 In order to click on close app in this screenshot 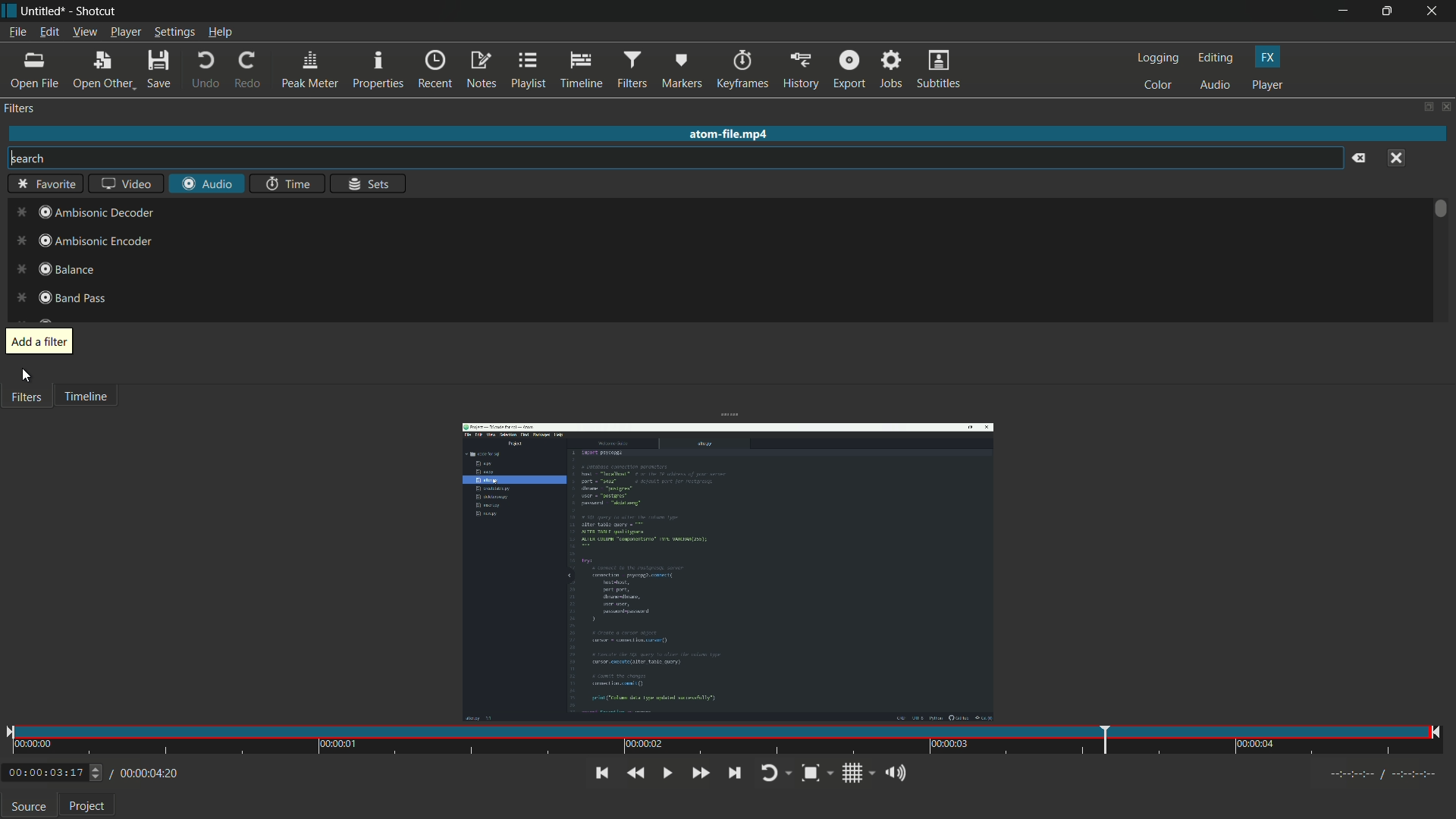, I will do `click(1435, 11)`.